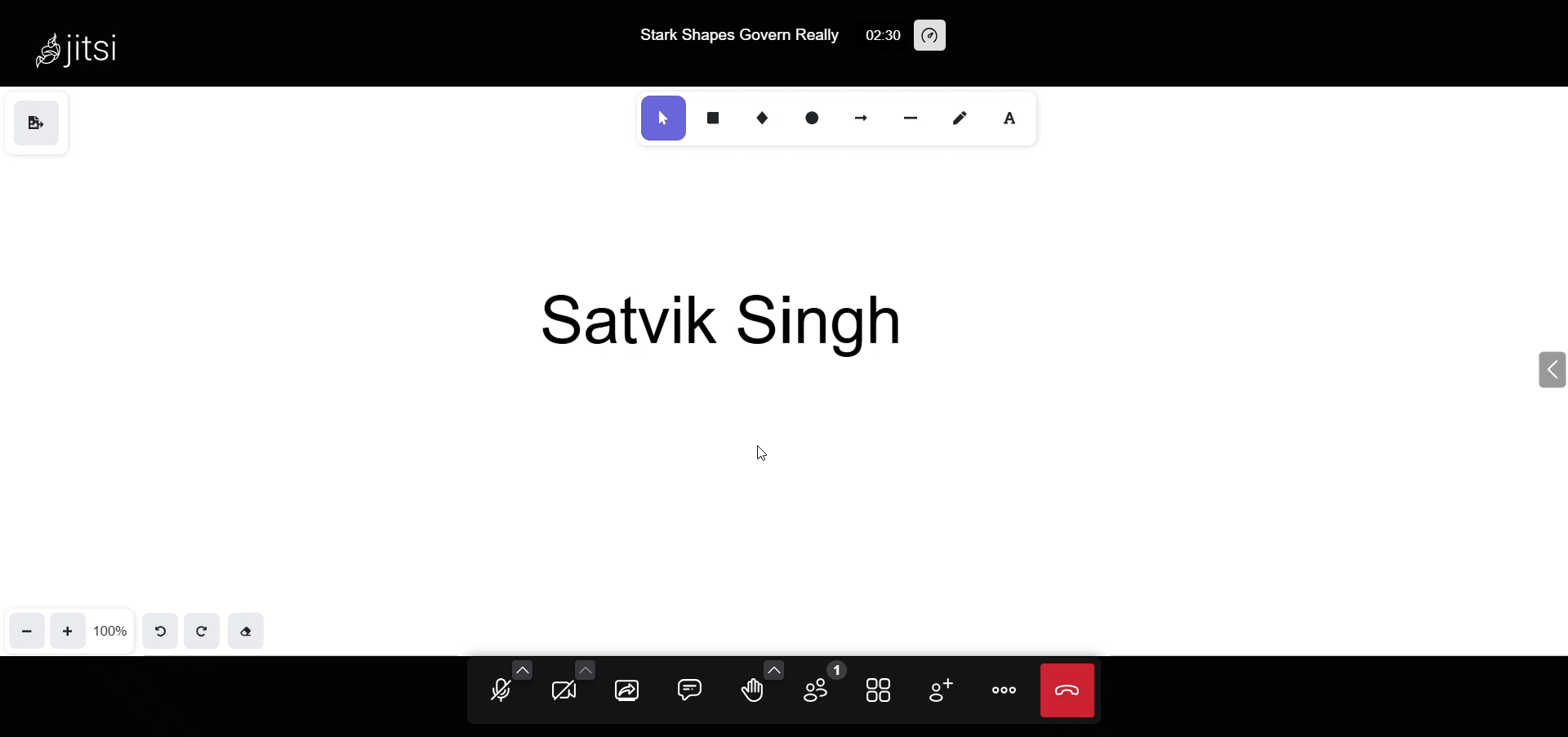 The height and width of the screenshot is (737, 1568). What do you see at coordinates (1003, 690) in the screenshot?
I see `more` at bounding box center [1003, 690].